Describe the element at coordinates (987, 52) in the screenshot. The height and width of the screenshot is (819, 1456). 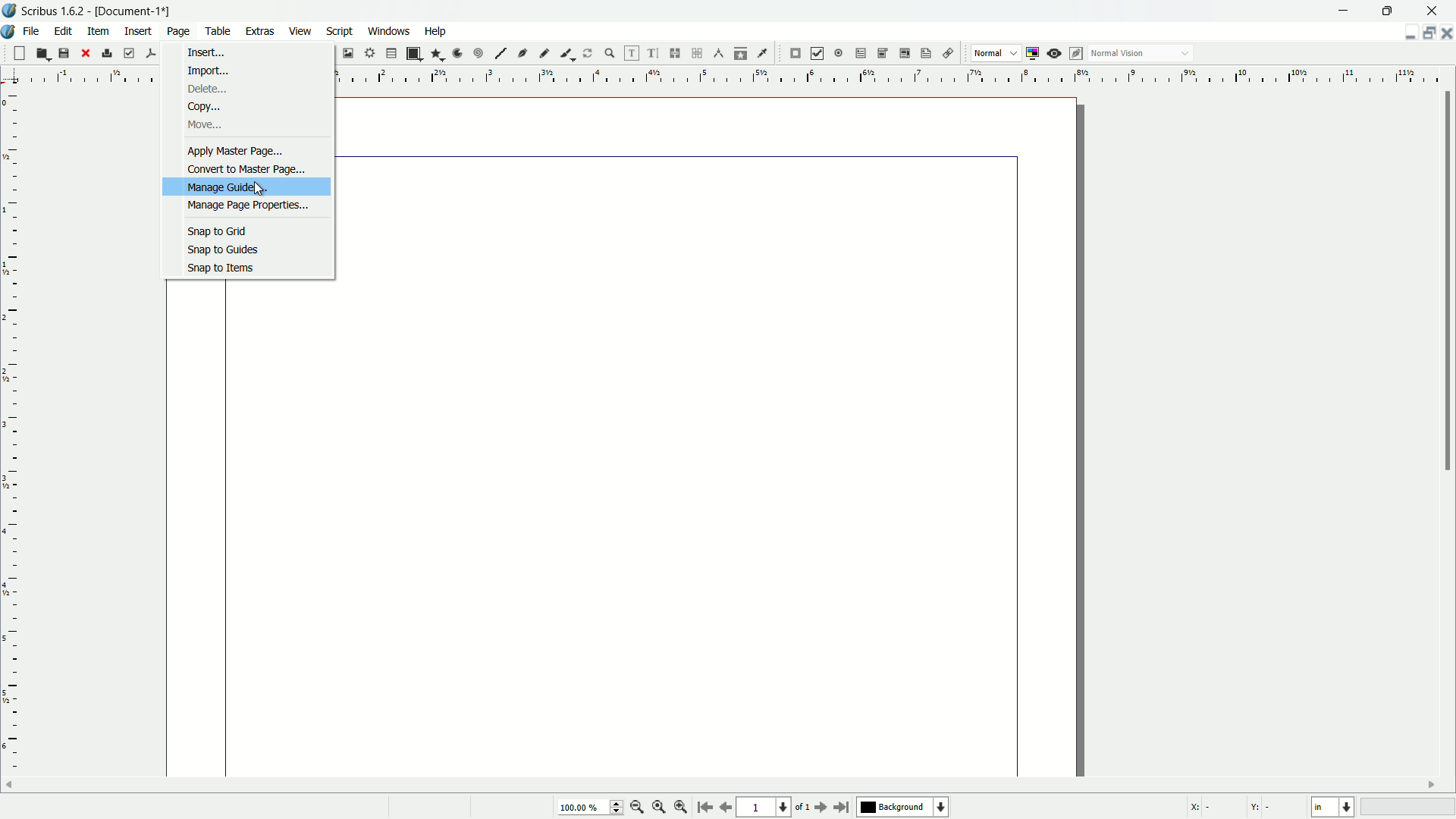
I see `normal` at that location.